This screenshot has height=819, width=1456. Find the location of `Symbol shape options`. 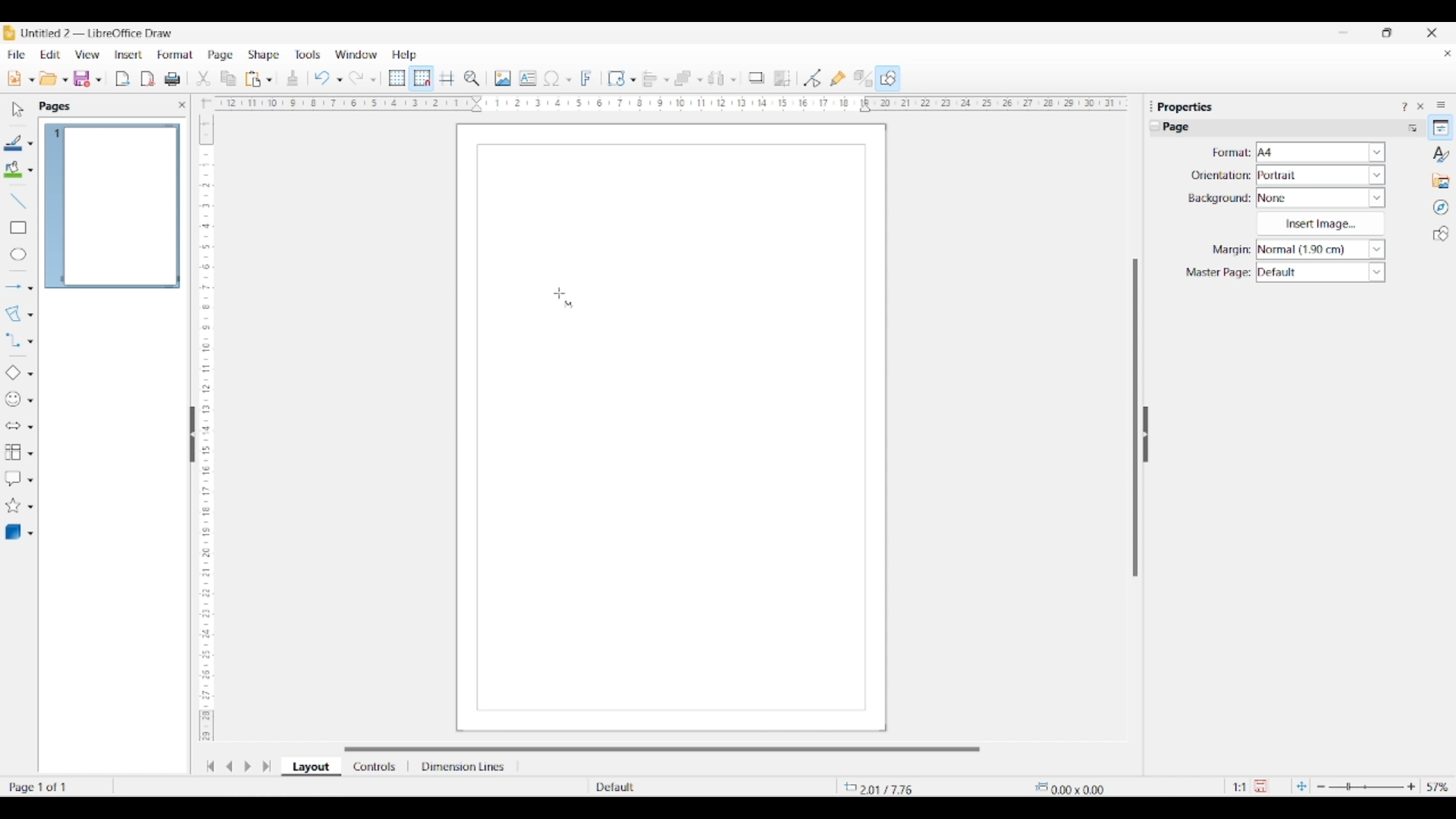

Symbol shape options is located at coordinates (30, 400).